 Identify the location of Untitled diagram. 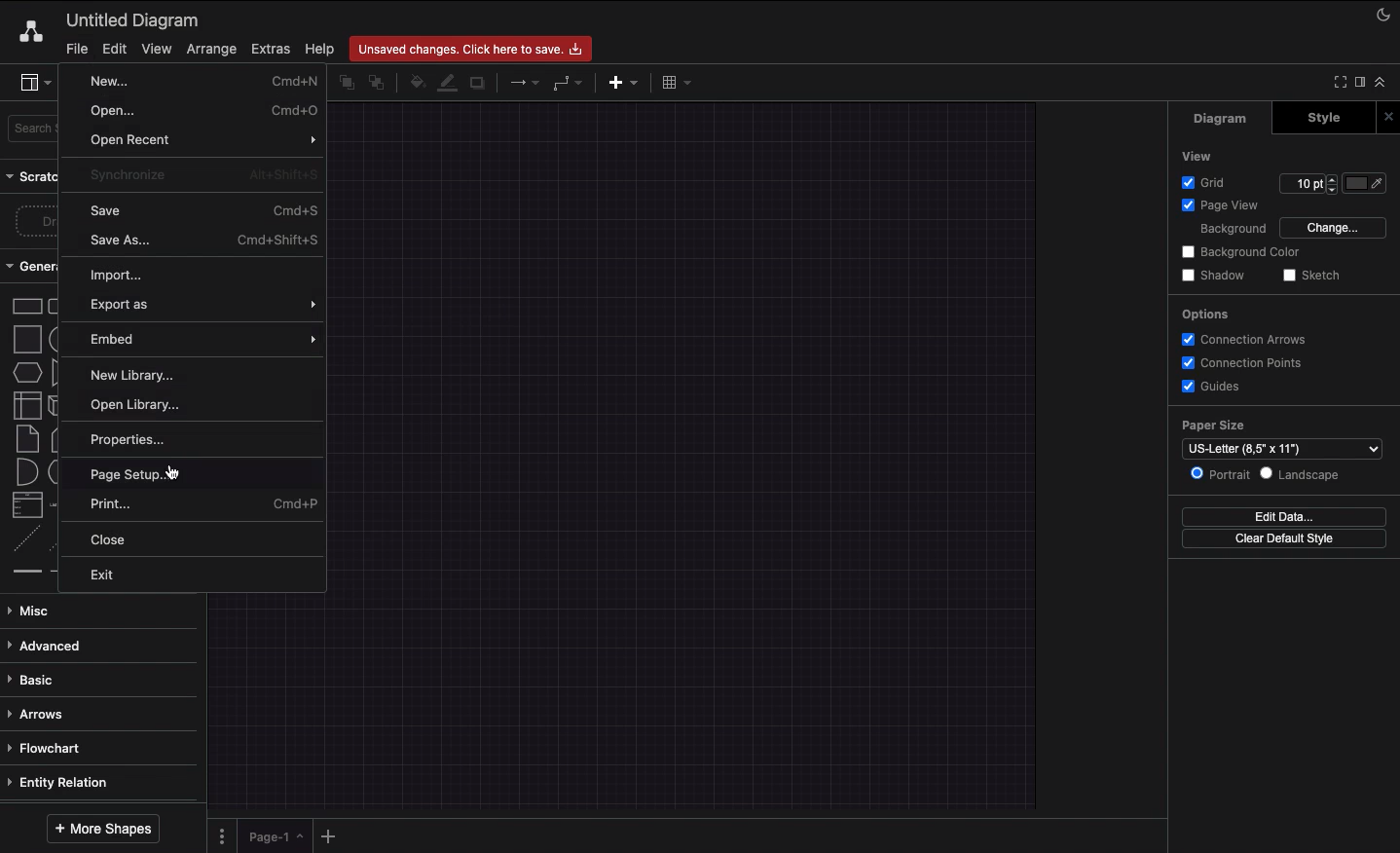
(133, 19).